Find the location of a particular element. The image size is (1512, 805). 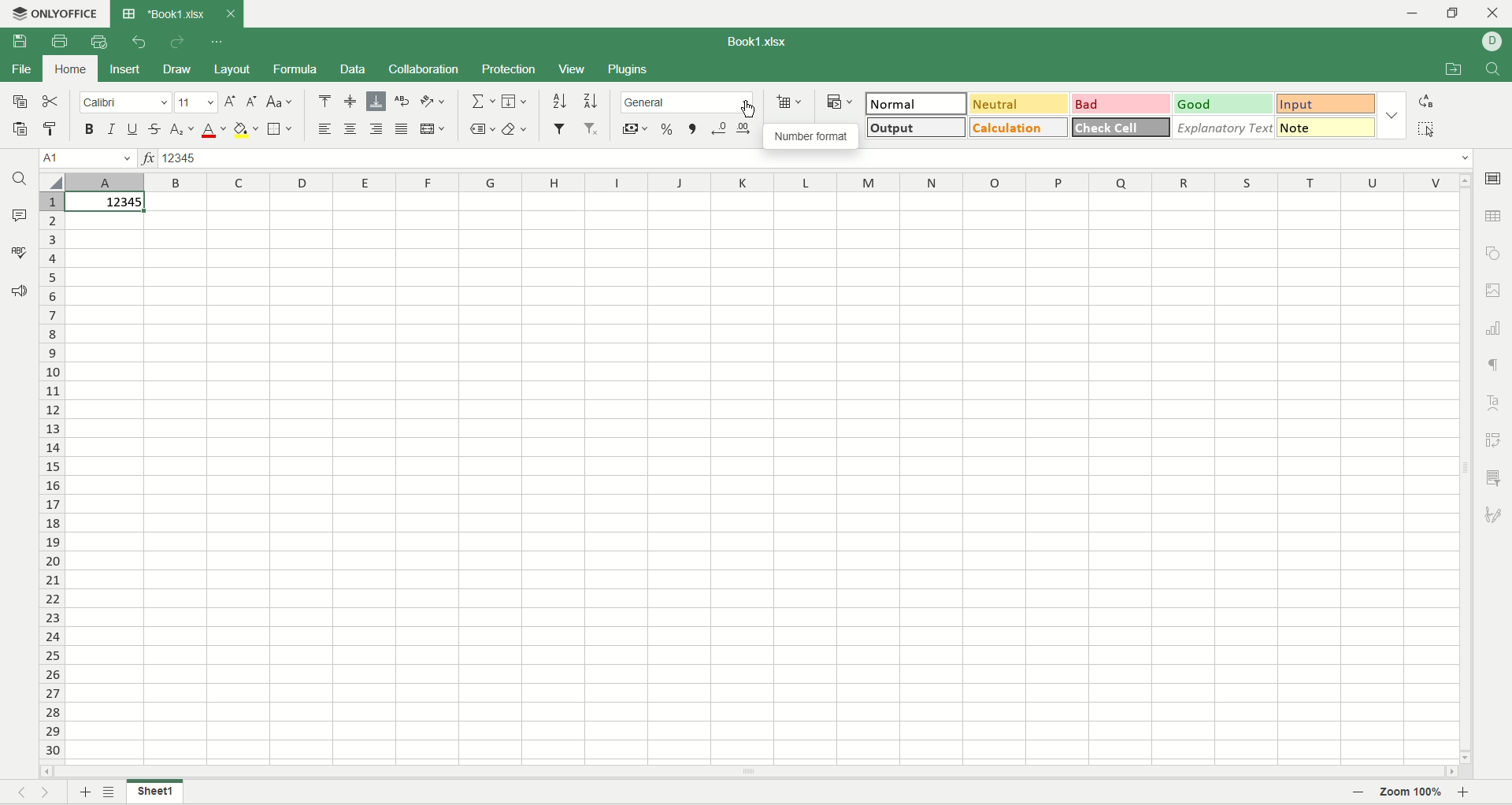

border is located at coordinates (280, 130).